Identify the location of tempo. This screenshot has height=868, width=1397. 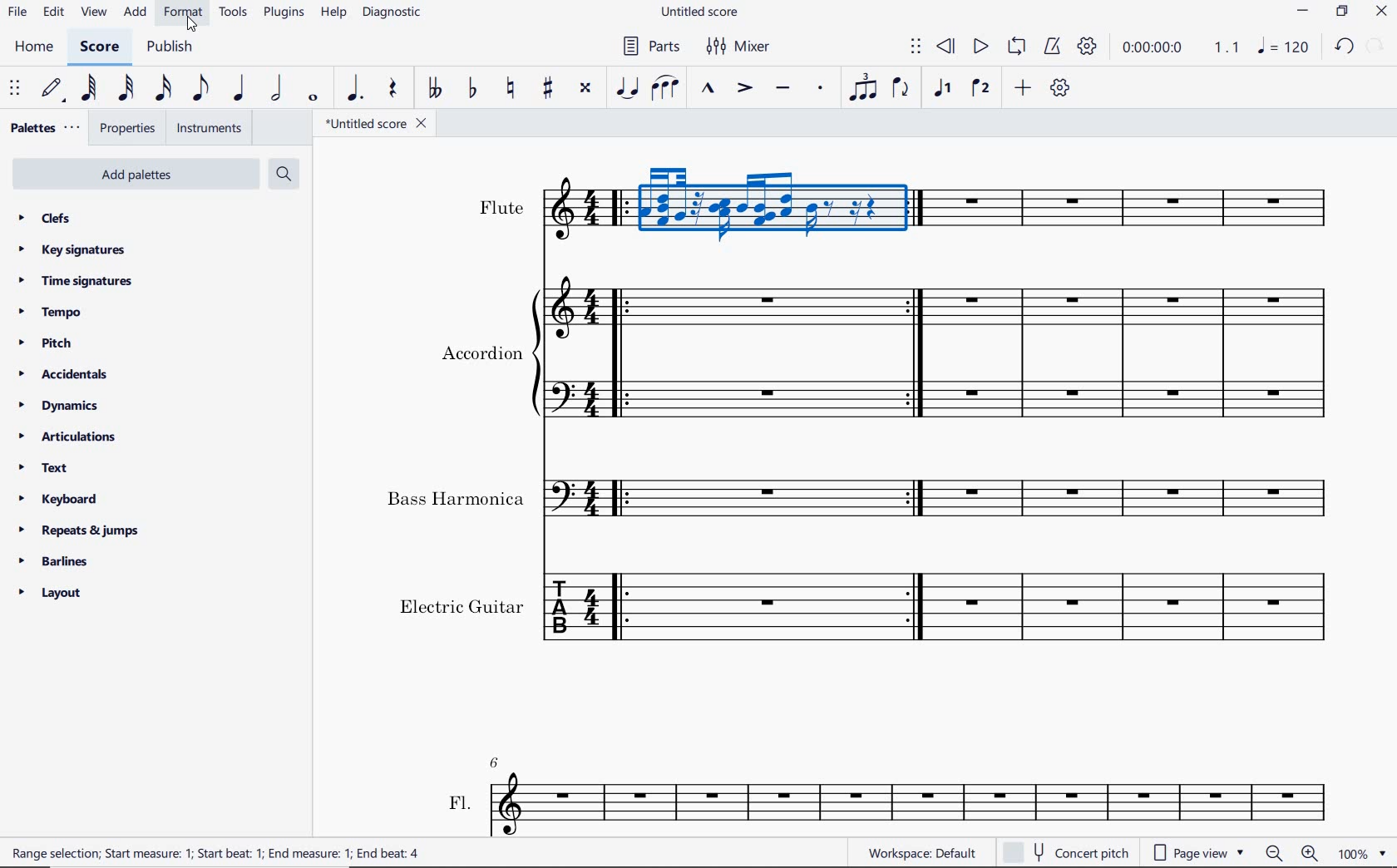
(53, 313).